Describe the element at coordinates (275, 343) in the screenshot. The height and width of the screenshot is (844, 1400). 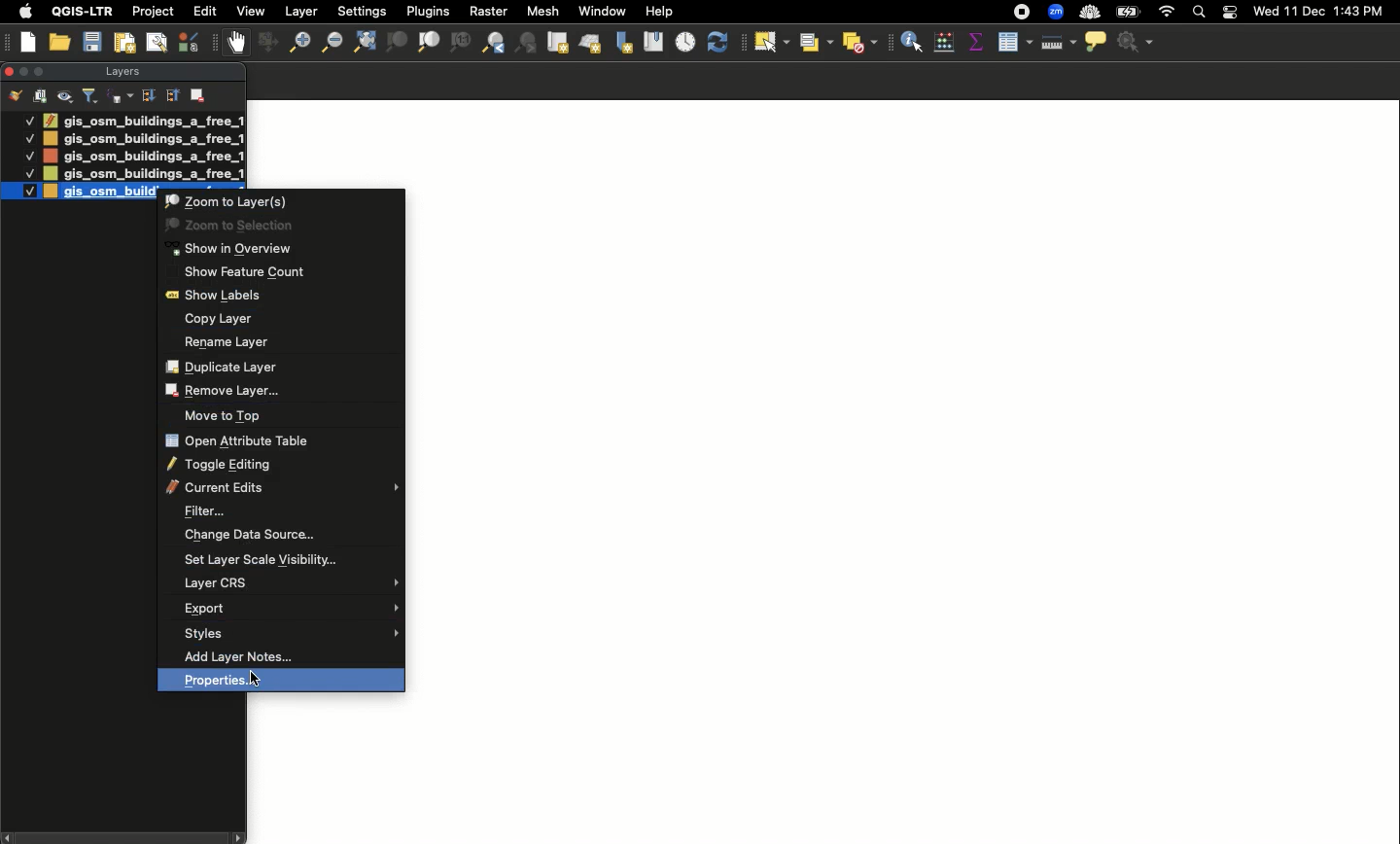
I see `Rename layer` at that location.